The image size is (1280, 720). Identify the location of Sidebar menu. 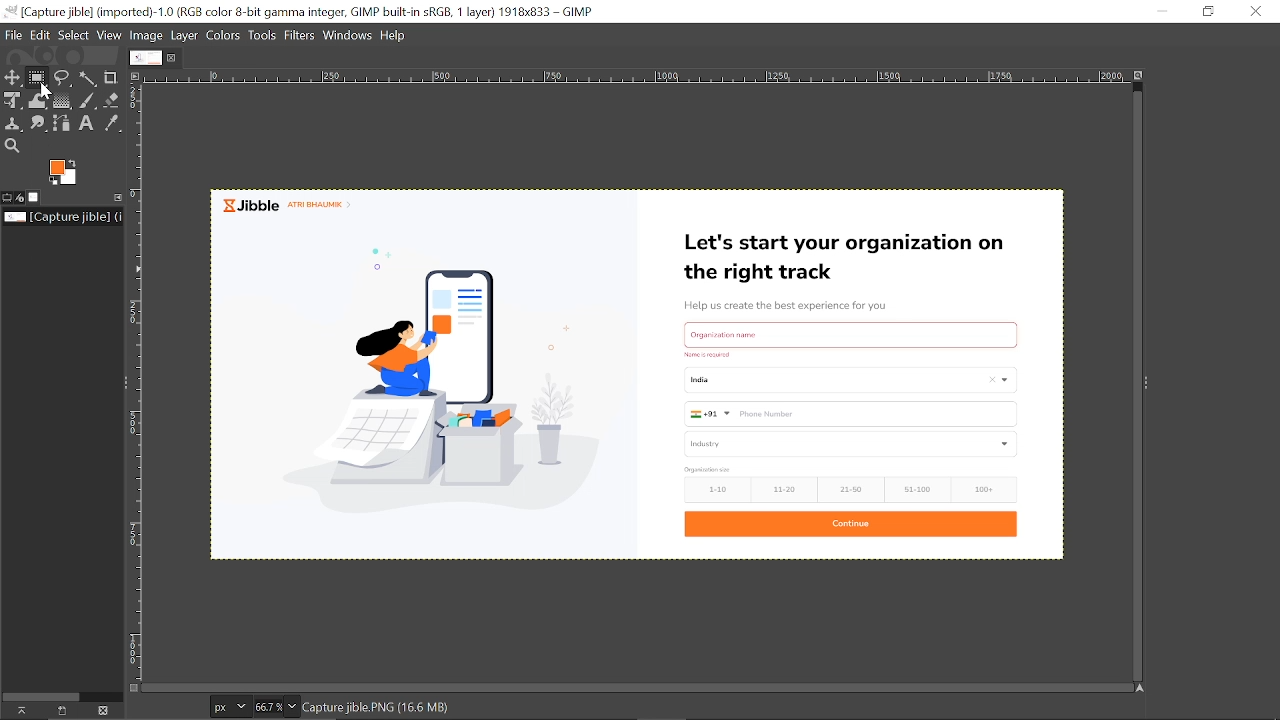
(120, 381).